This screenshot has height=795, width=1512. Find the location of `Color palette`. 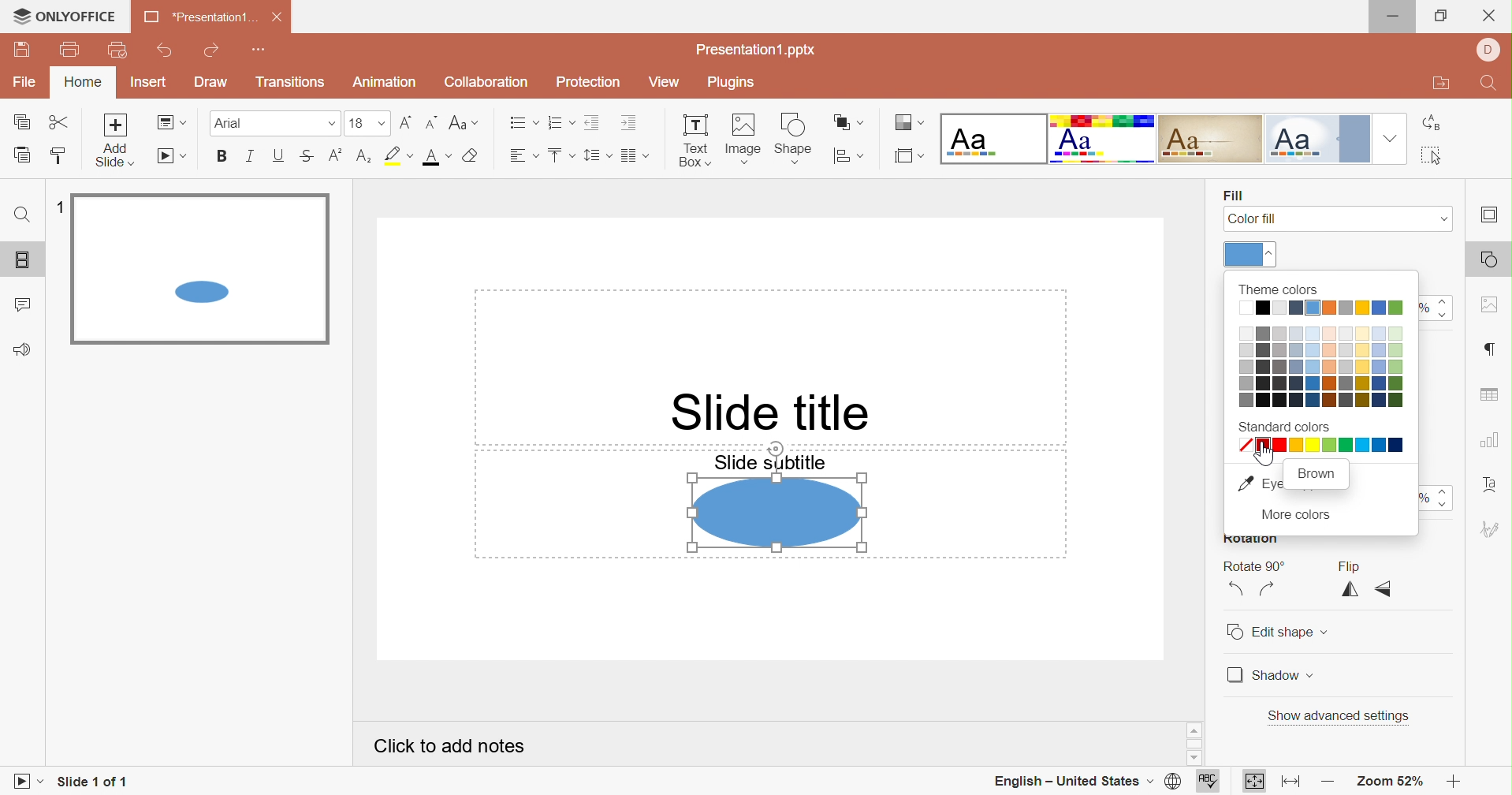

Color palette is located at coordinates (1324, 354).